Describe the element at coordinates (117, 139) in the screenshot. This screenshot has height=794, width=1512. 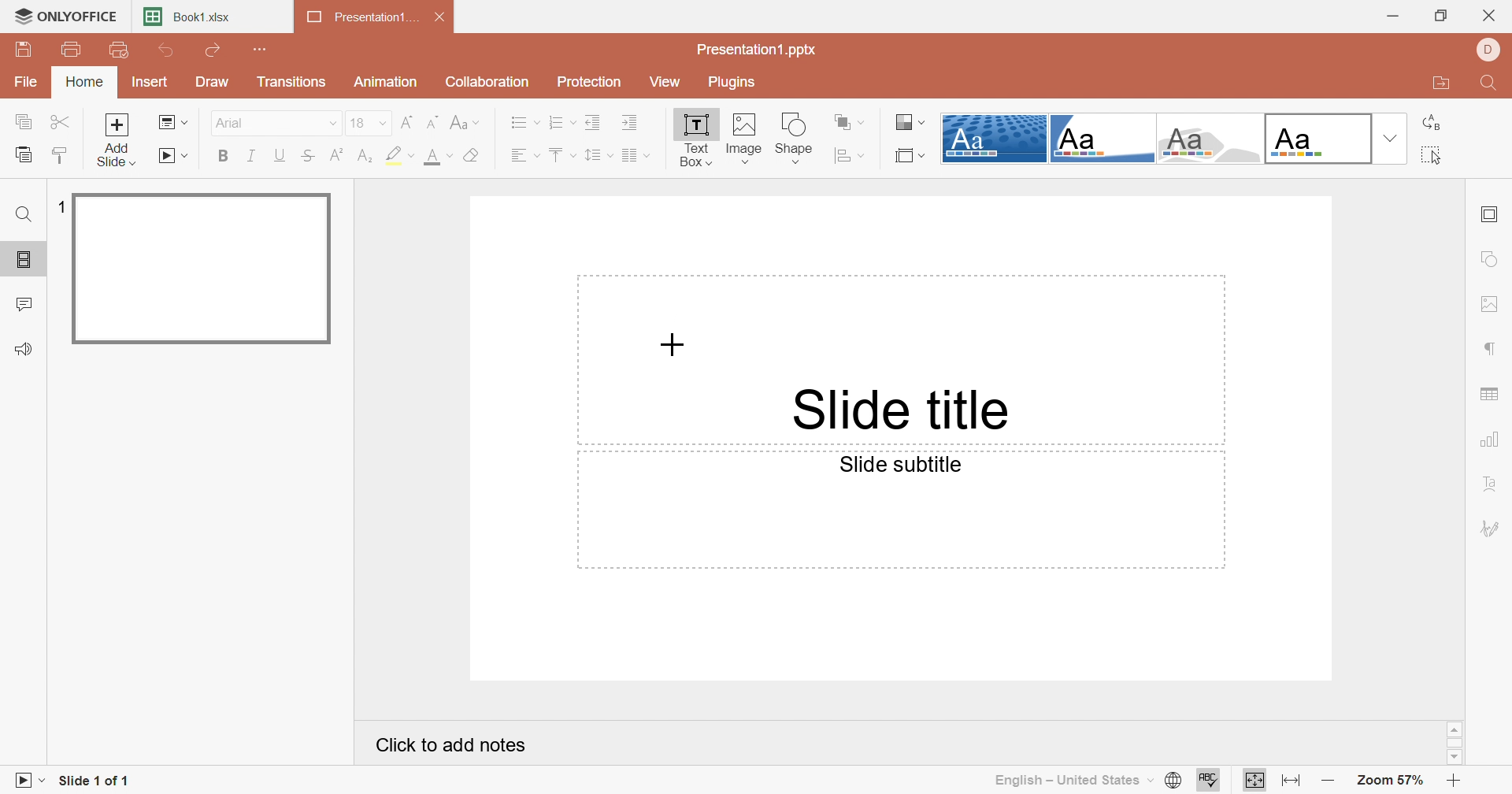
I see `Add slide` at that location.